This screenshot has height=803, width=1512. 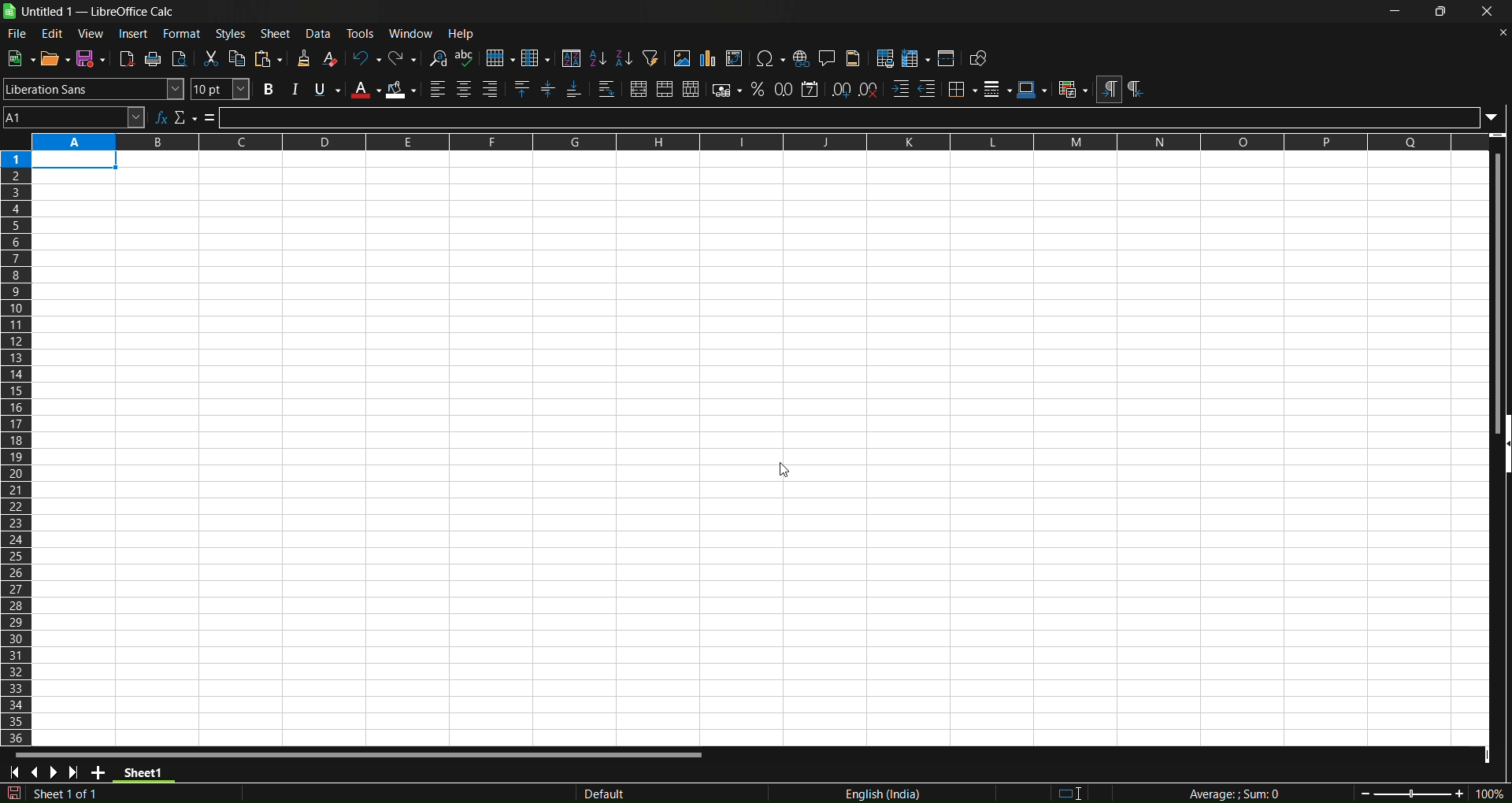 I want to click on sort descending, so click(x=624, y=60).